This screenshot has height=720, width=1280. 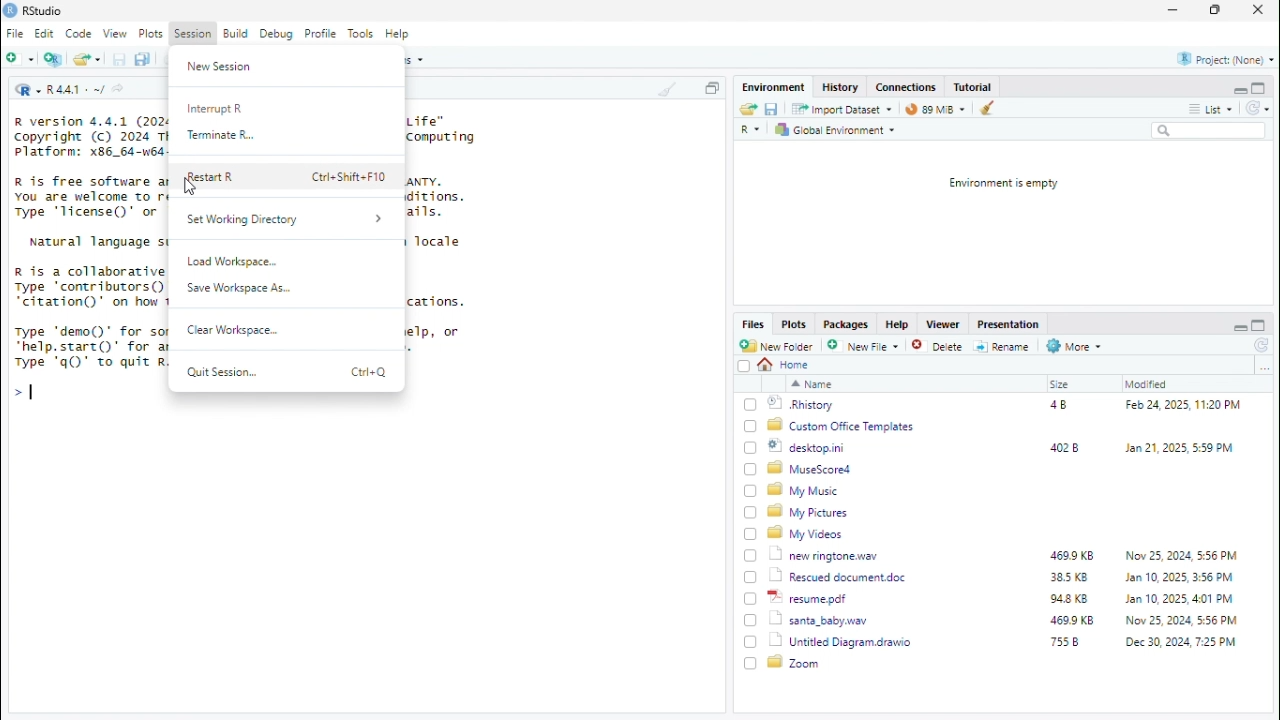 I want to click on .Rhistory 4B Feb 24, 2025, 11:20 PM., so click(x=1006, y=405).